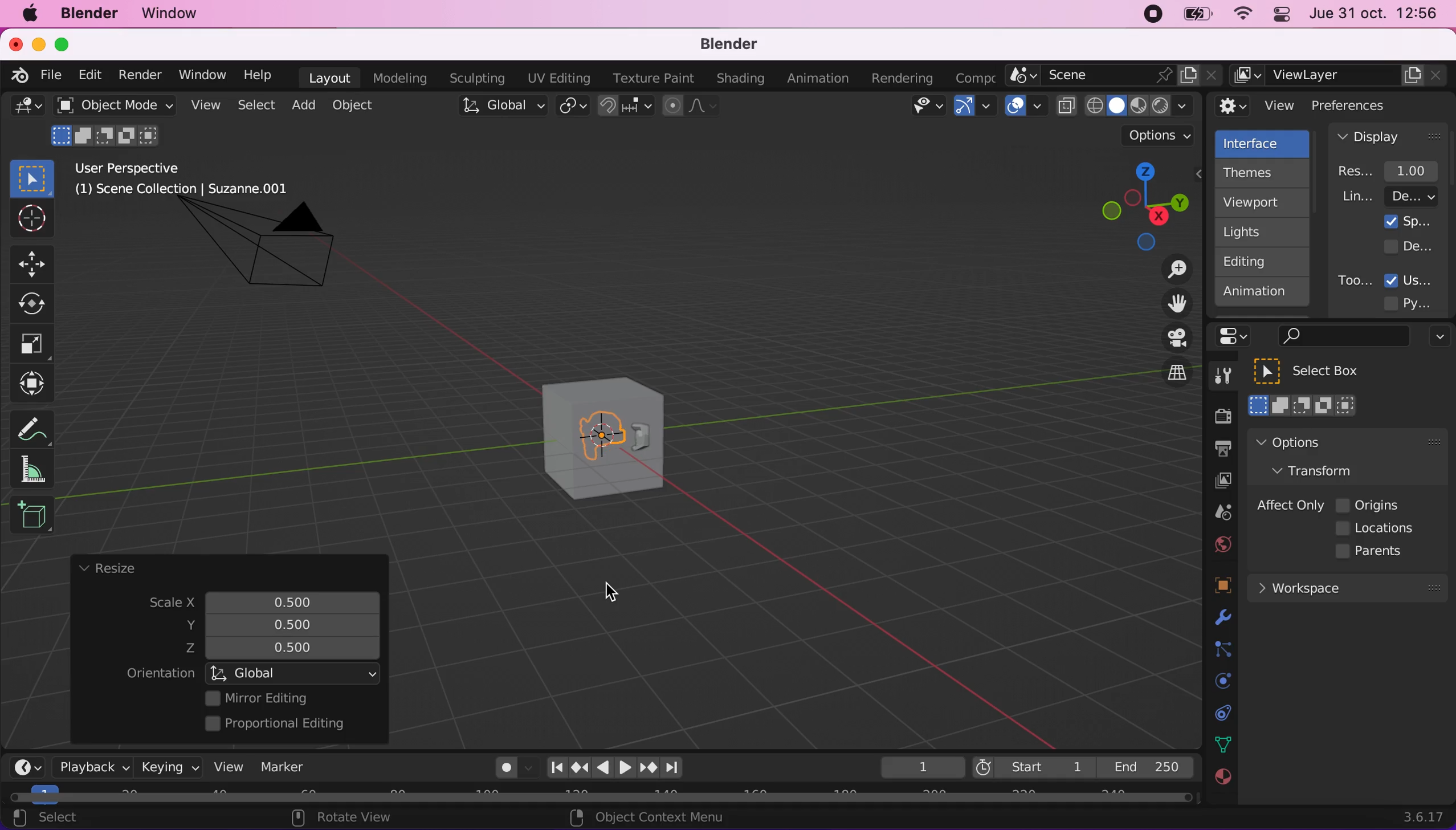  Describe the element at coordinates (49, 75) in the screenshot. I see `file` at that location.